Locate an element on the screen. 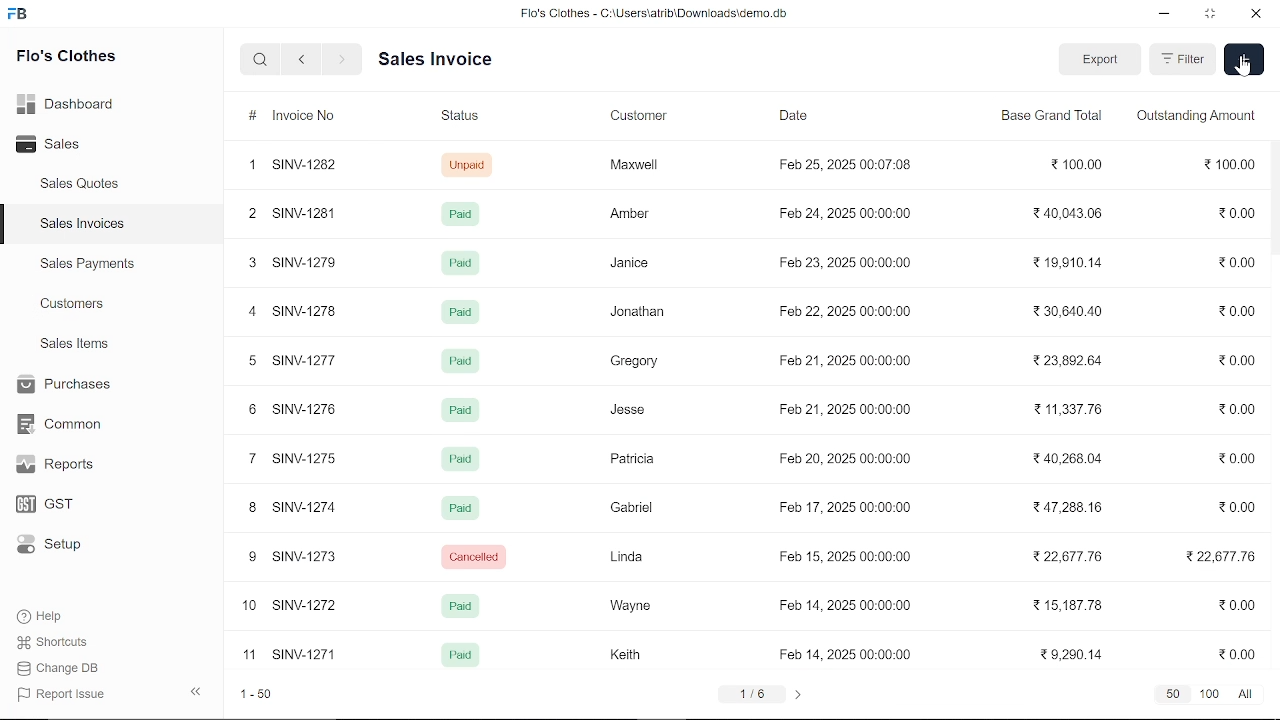 This screenshot has height=720, width=1280. frappe books is located at coordinates (18, 16).